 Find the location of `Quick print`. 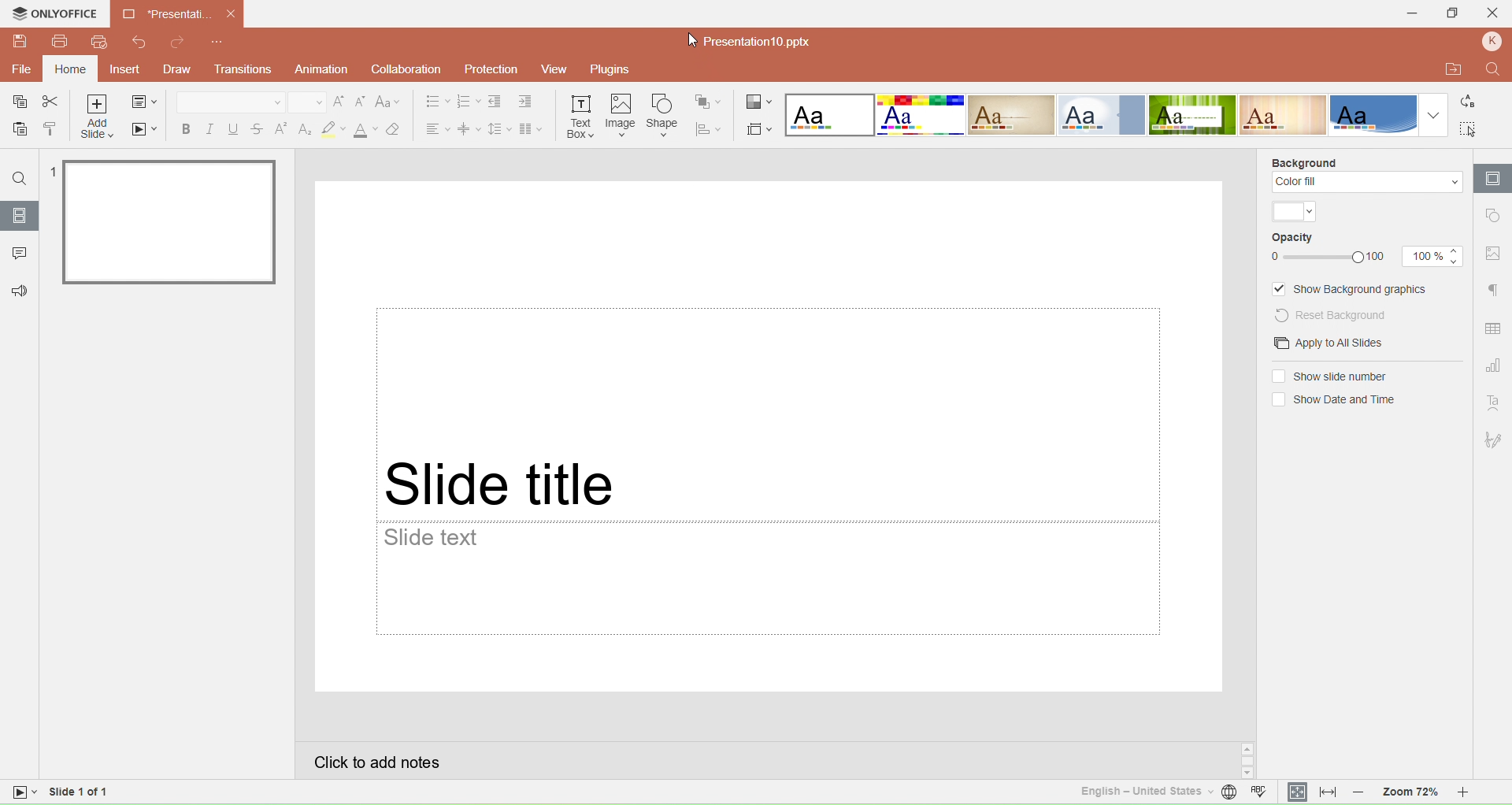

Quick print is located at coordinates (98, 43).